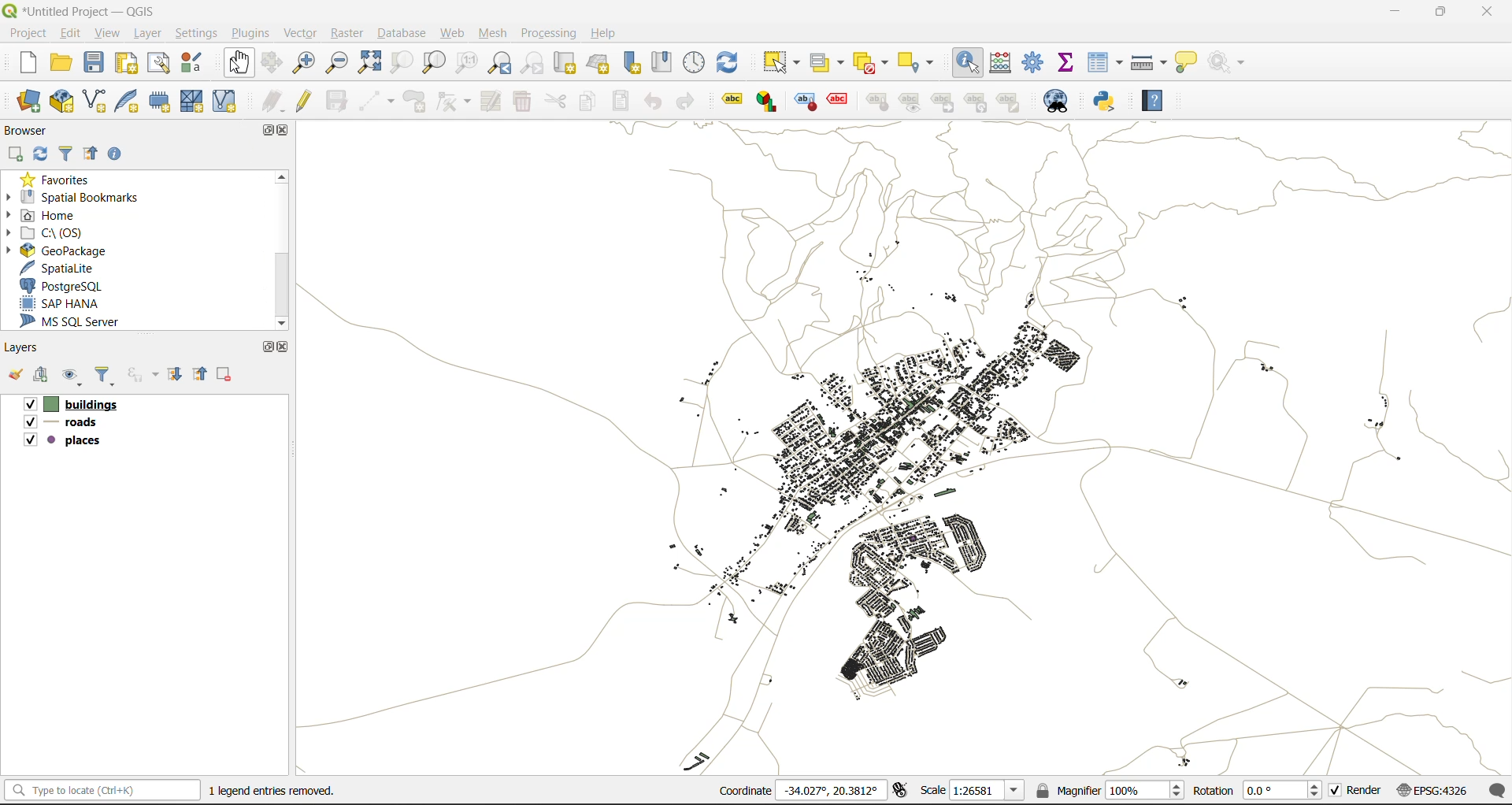 This screenshot has width=1512, height=805. What do you see at coordinates (69, 285) in the screenshot?
I see `postgresql` at bounding box center [69, 285].